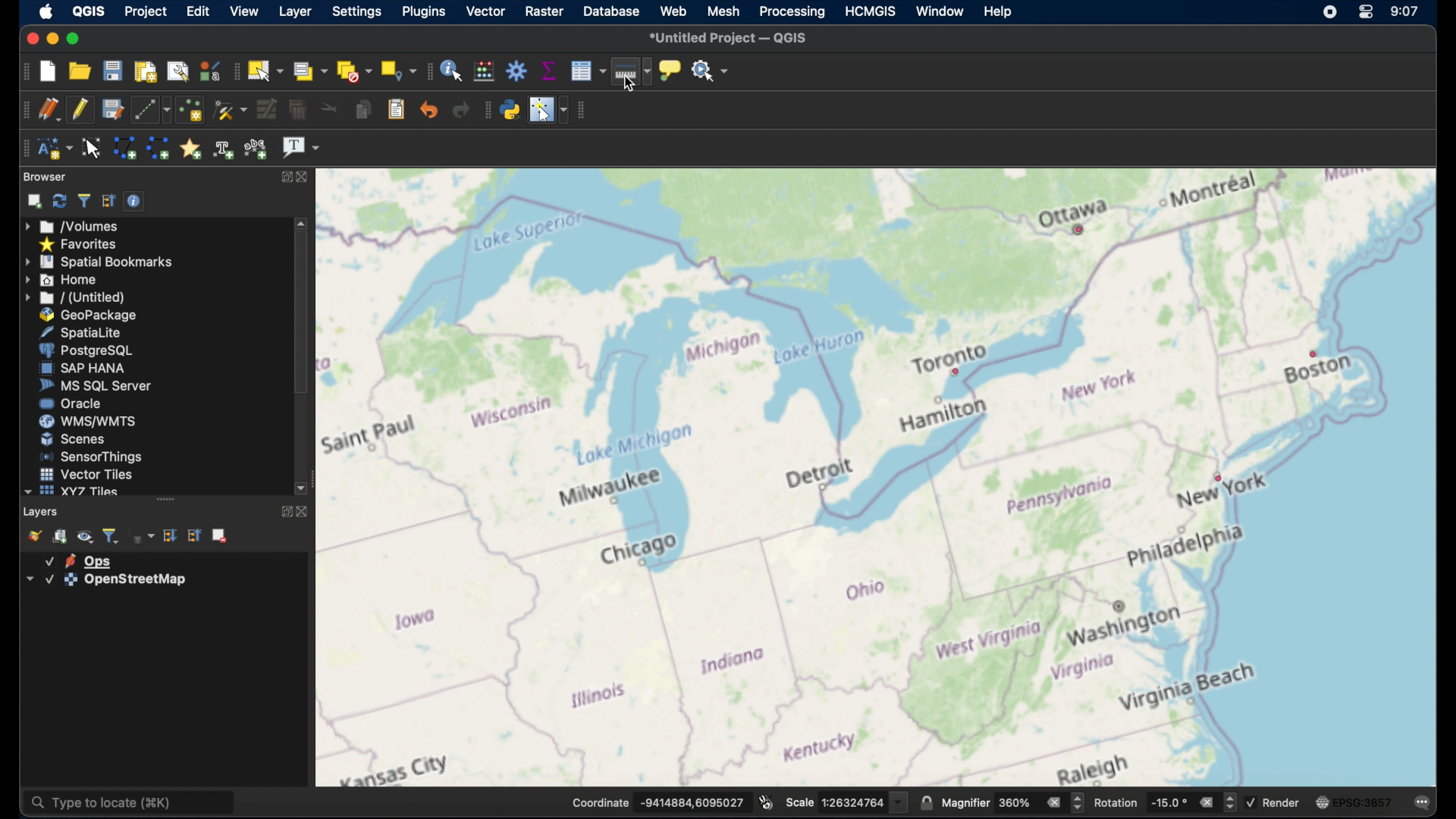 This screenshot has height=819, width=1456. What do you see at coordinates (549, 69) in the screenshot?
I see `show statistical summary` at bounding box center [549, 69].